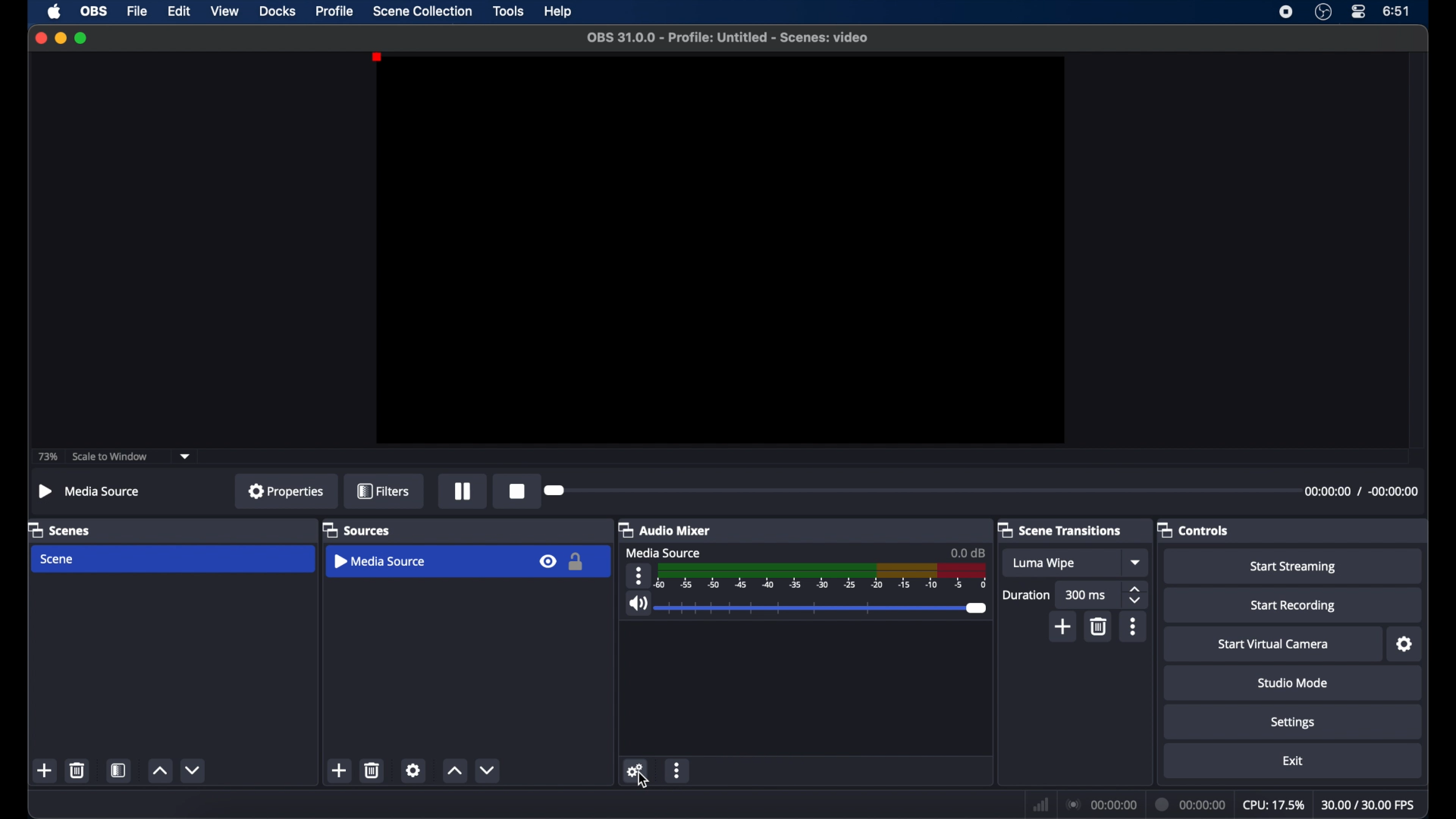  Describe the element at coordinates (137, 11) in the screenshot. I see `file` at that location.